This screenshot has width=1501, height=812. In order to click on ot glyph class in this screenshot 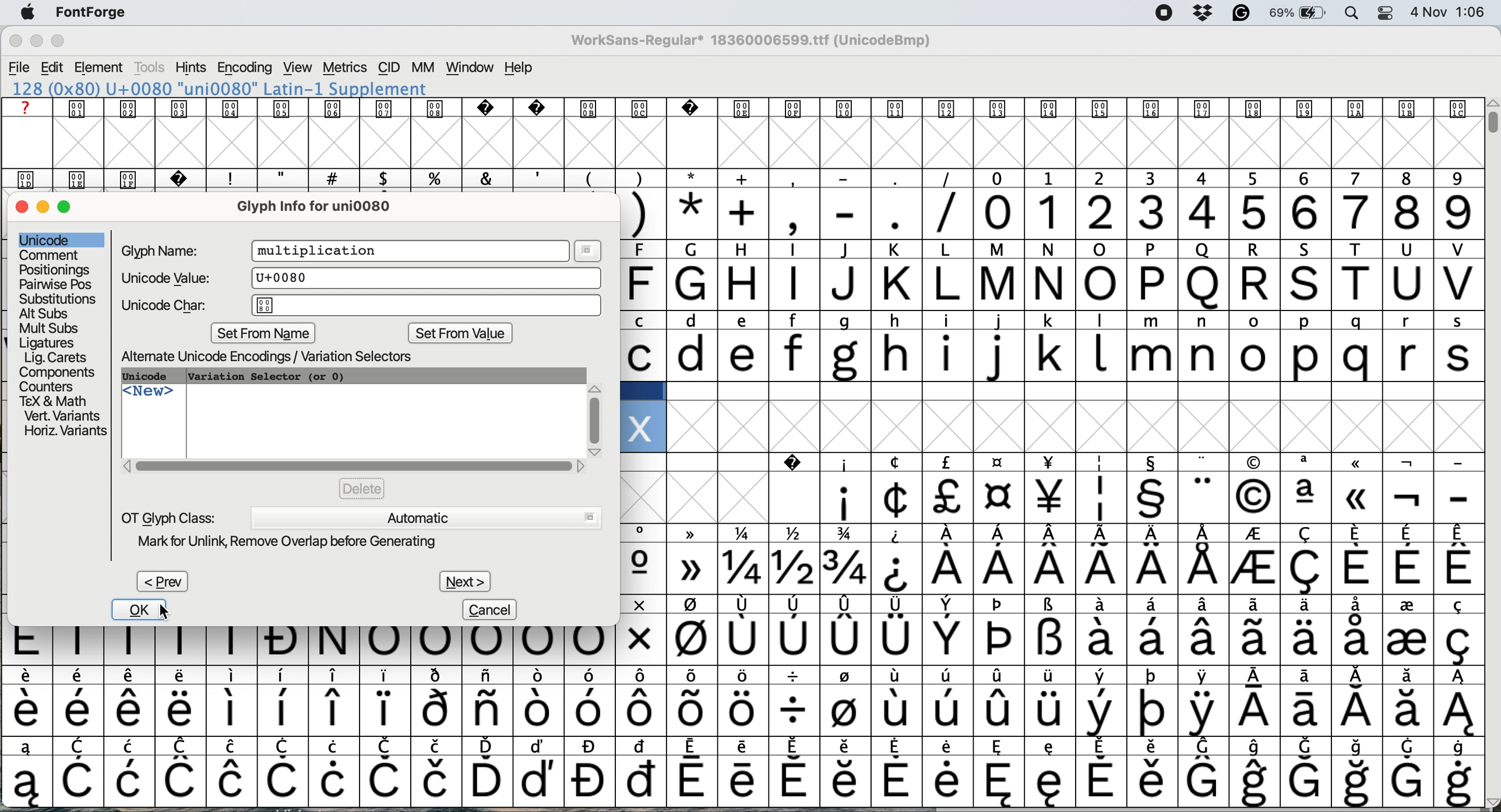, I will do `click(169, 517)`.